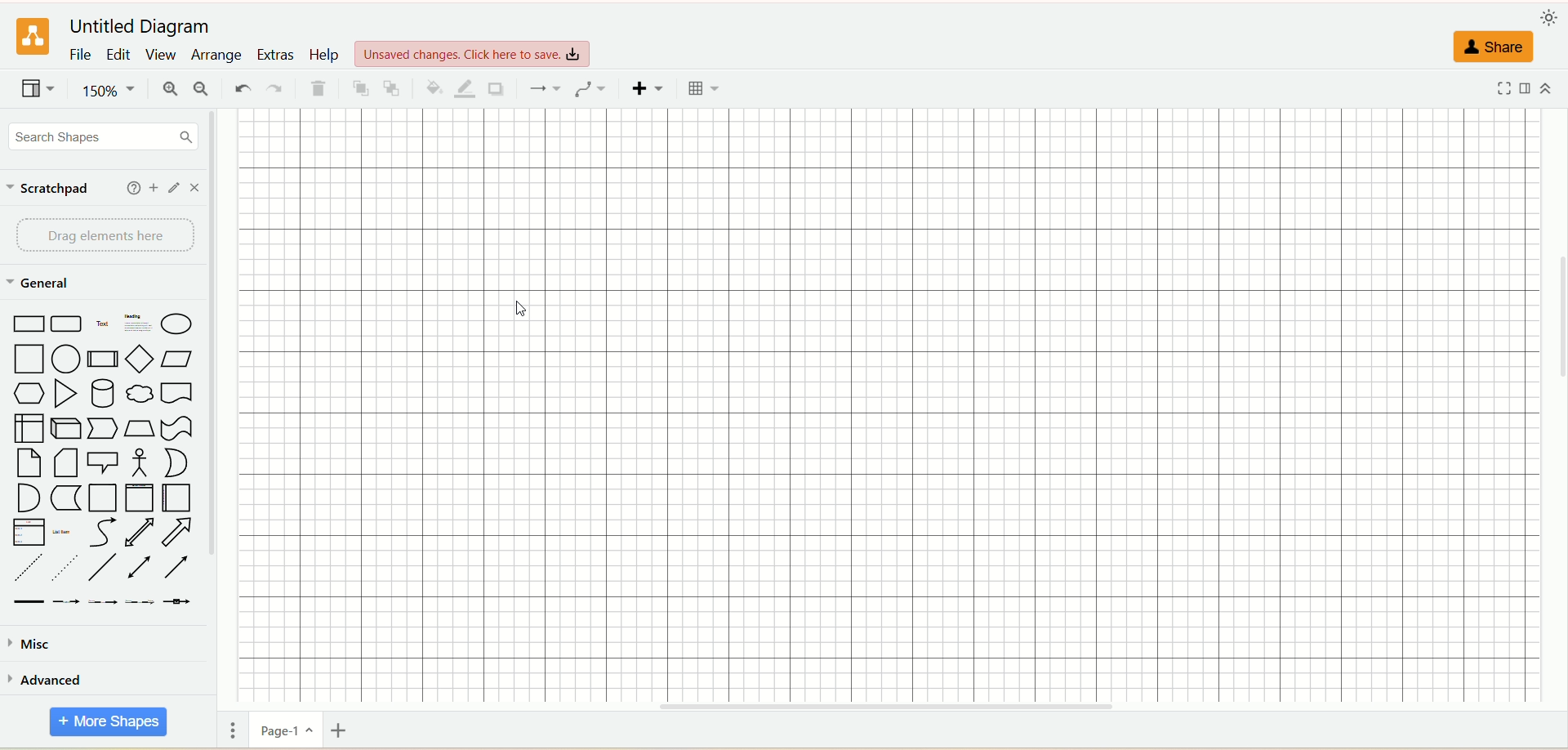 The height and width of the screenshot is (750, 1568). What do you see at coordinates (319, 90) in the screenshot?
I see `delete` at bounding box center [319, 90].